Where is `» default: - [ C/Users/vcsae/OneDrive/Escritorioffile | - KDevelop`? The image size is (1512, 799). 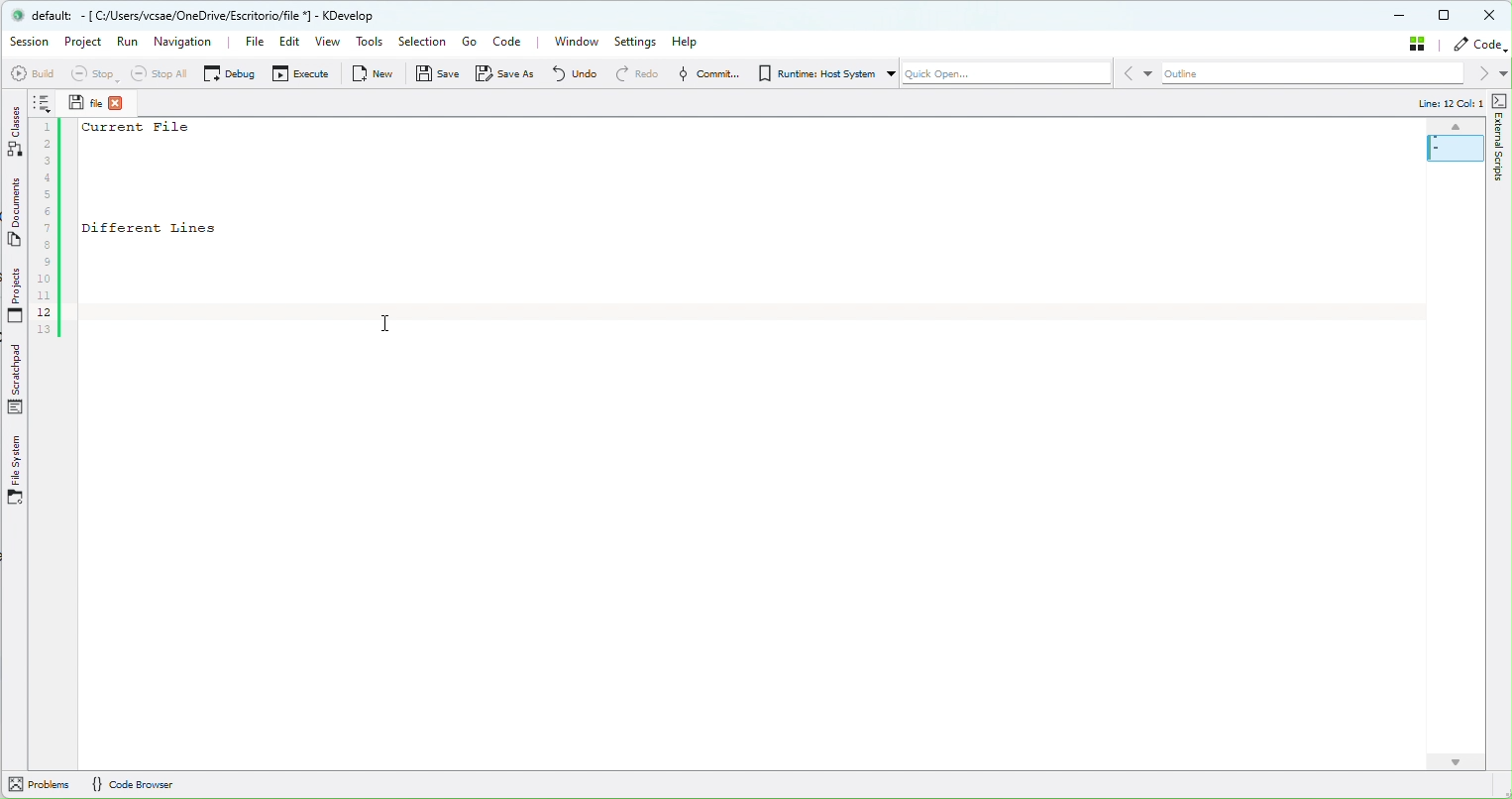
» default: - [ C/Users/vcsae/OneDrive/Escritorioffile | - KDevelop is located at coordinates (208, 17).